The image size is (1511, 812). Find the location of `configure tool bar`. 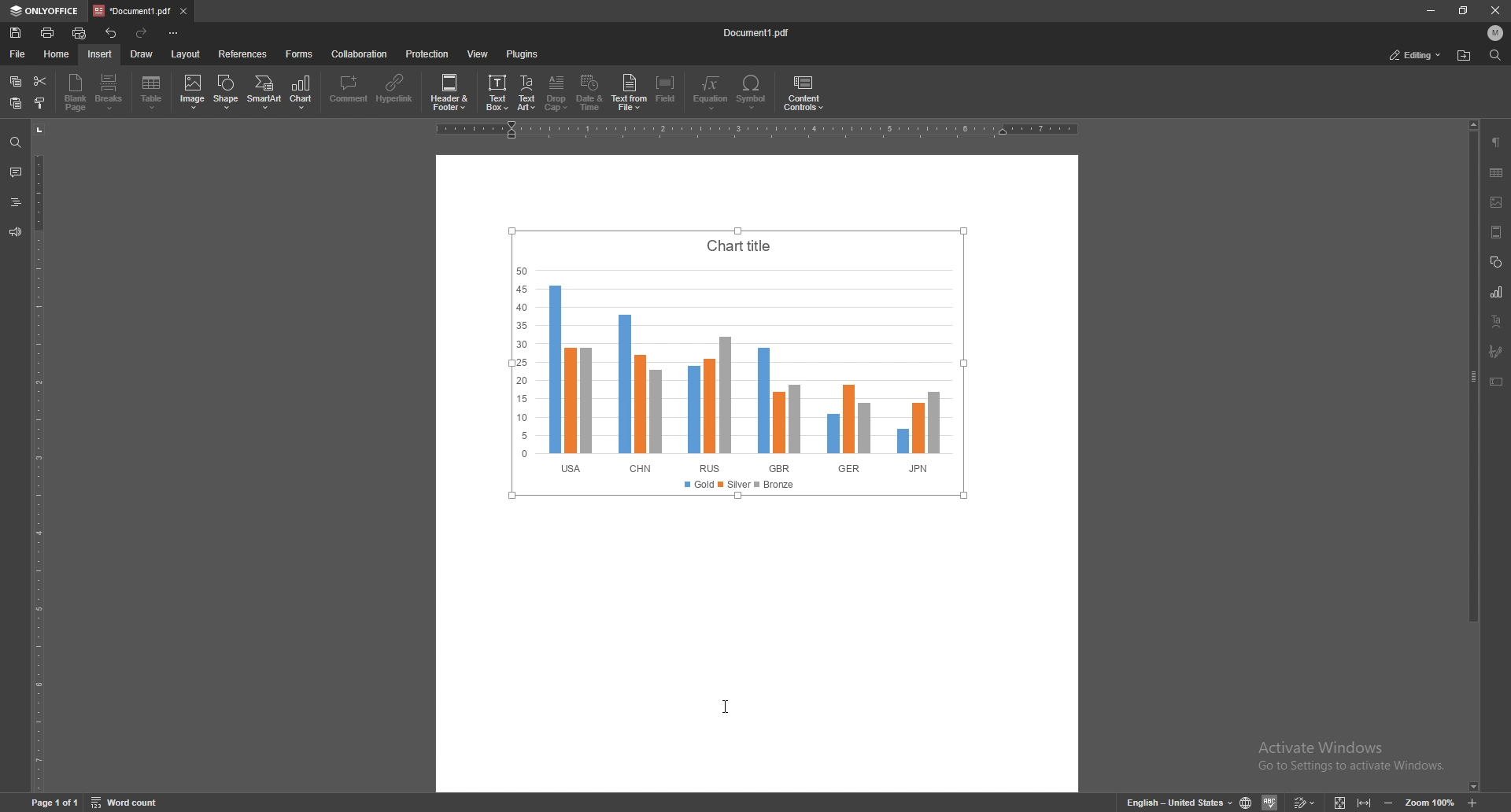

configure tool bar is located at coordinates (175, 33).